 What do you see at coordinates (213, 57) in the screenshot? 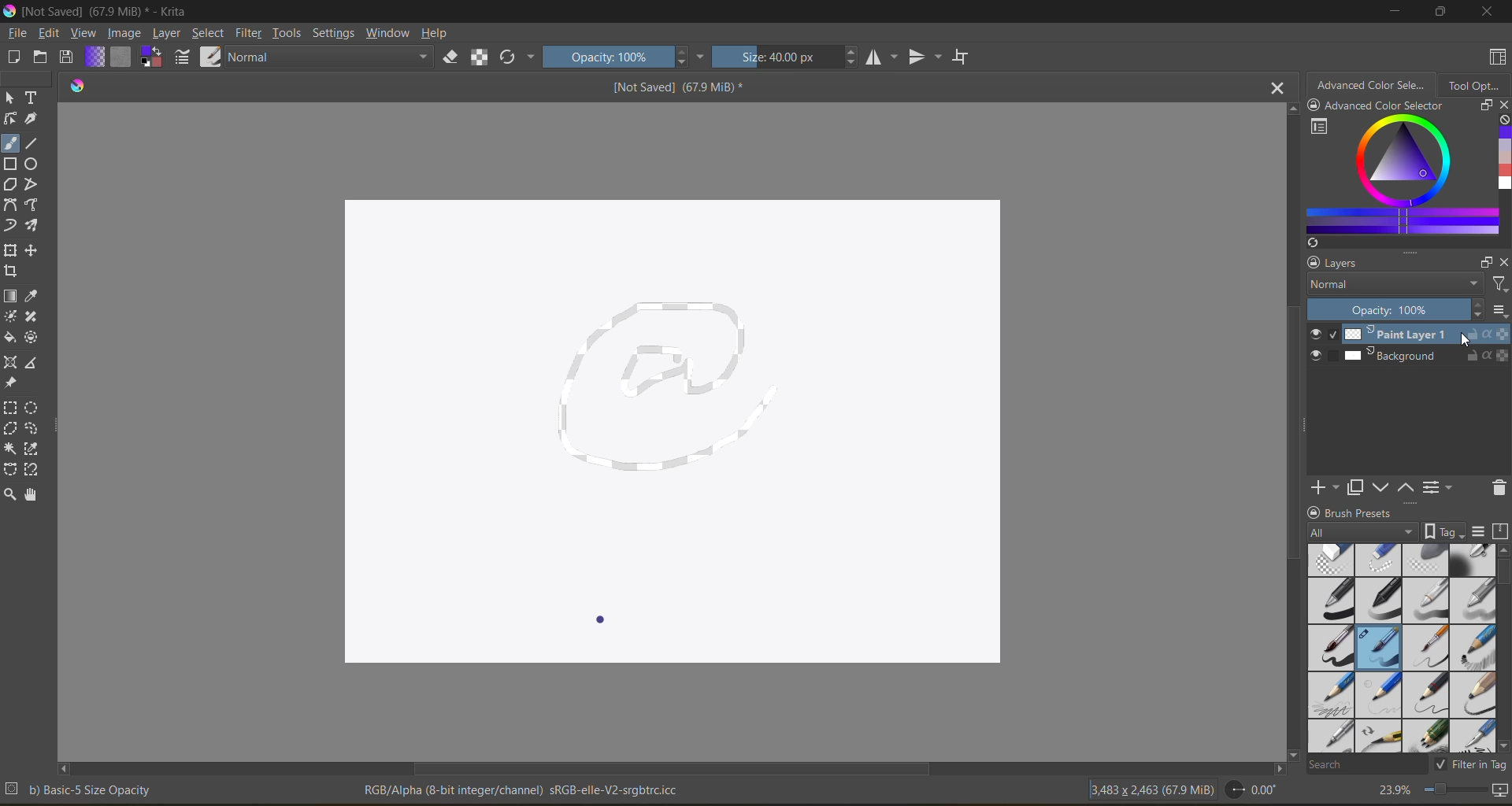
I see `choose brush preset` at bounding box center [213, 57].